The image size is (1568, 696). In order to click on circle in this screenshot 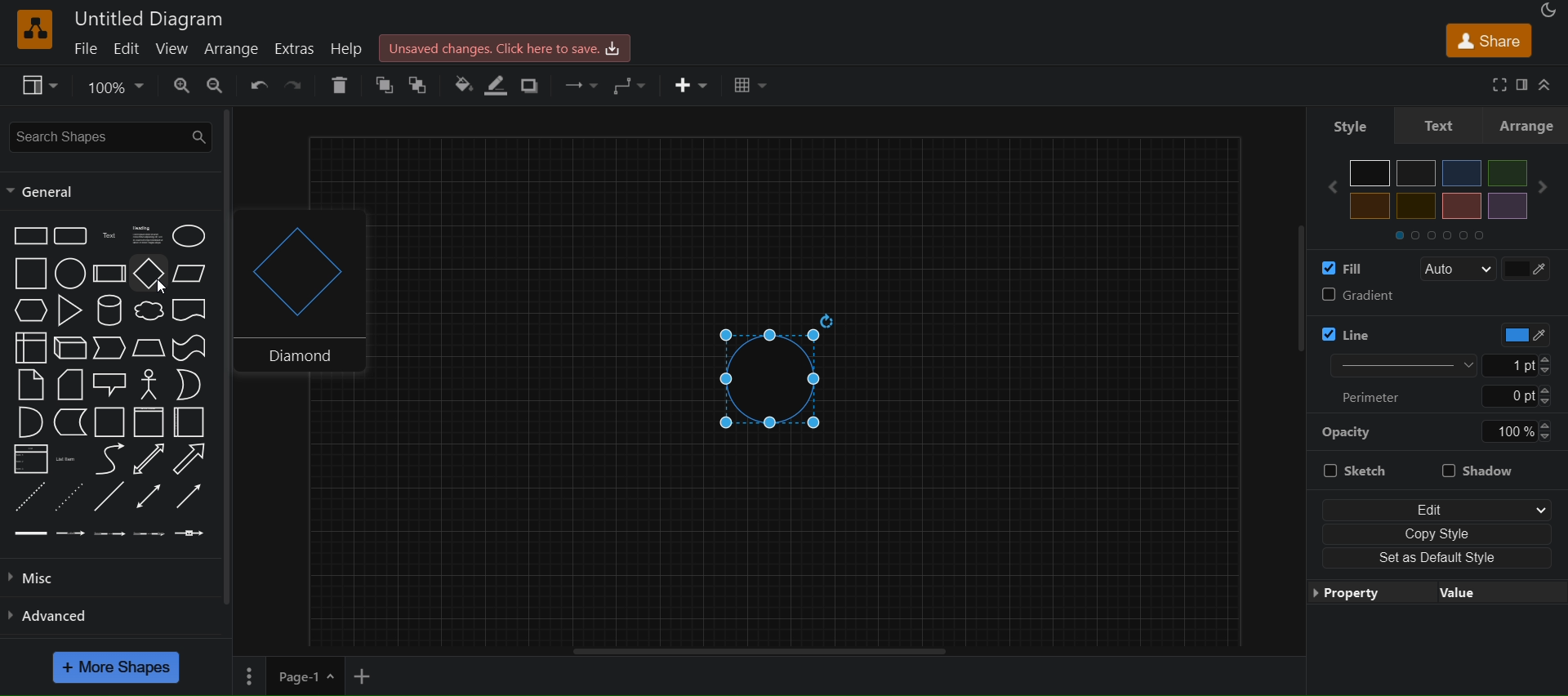, I will do `click(68, 275)`.